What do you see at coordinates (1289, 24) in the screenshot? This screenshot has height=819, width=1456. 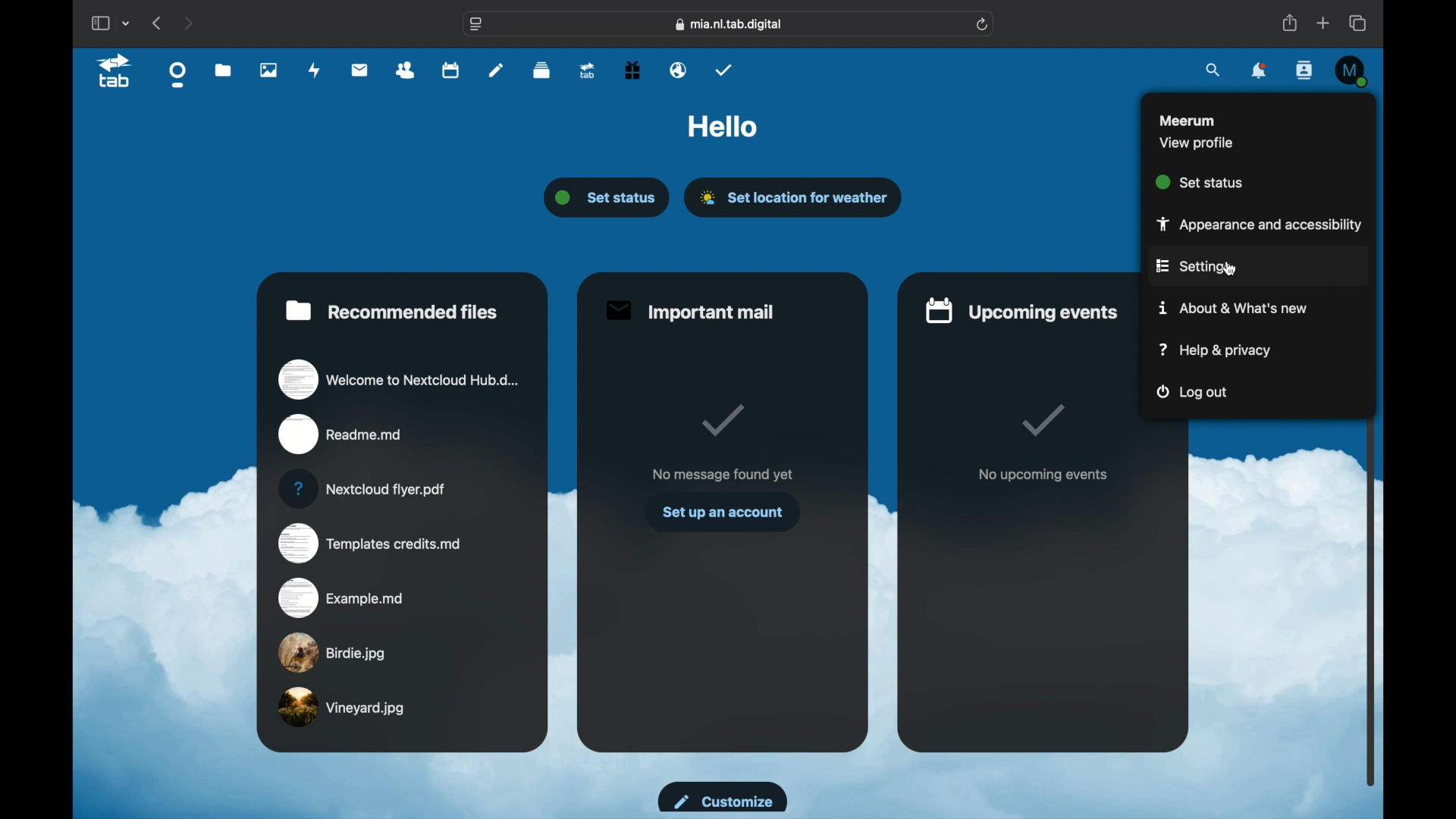 I see `share` at bounding box center [1289, 24].